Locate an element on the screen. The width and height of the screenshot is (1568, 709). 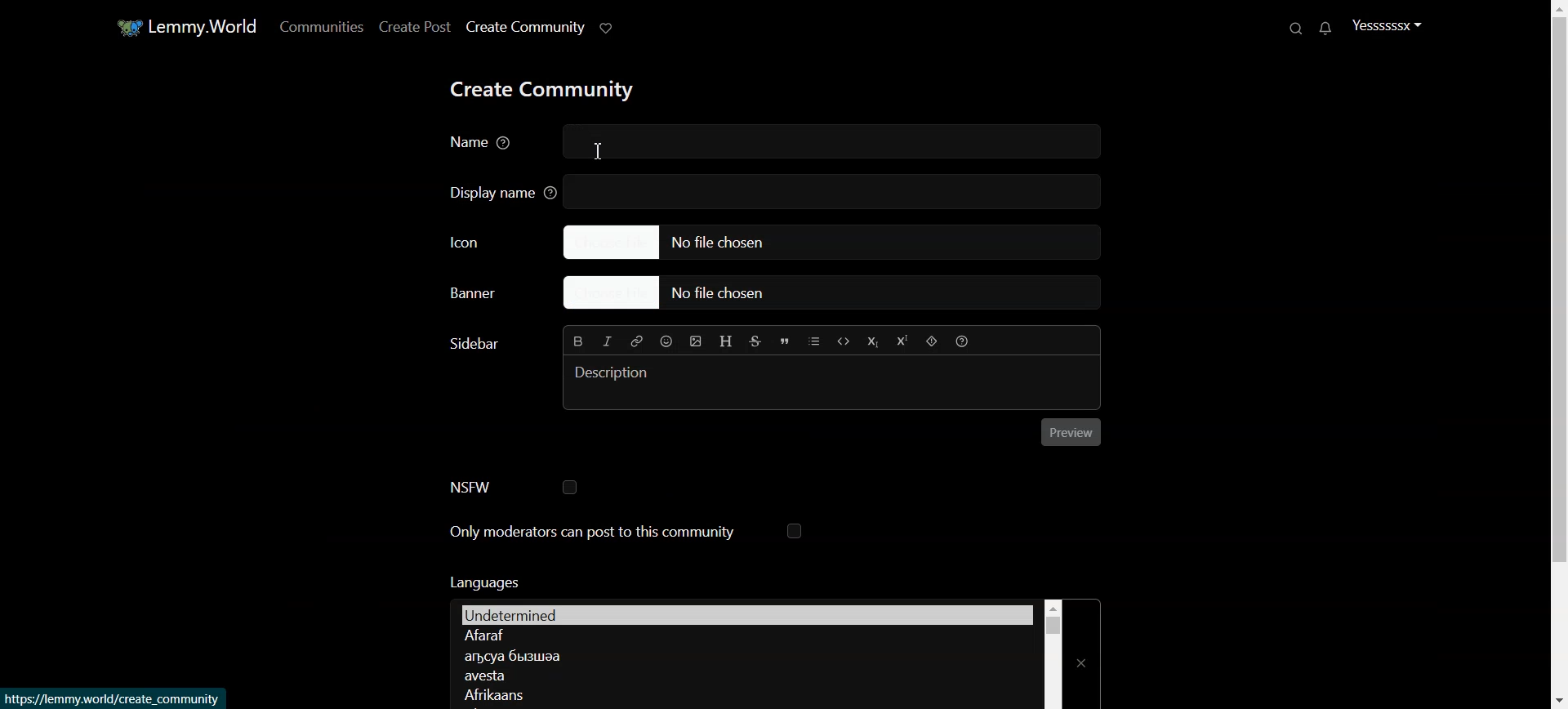
List is located at coordinates (814, 341).